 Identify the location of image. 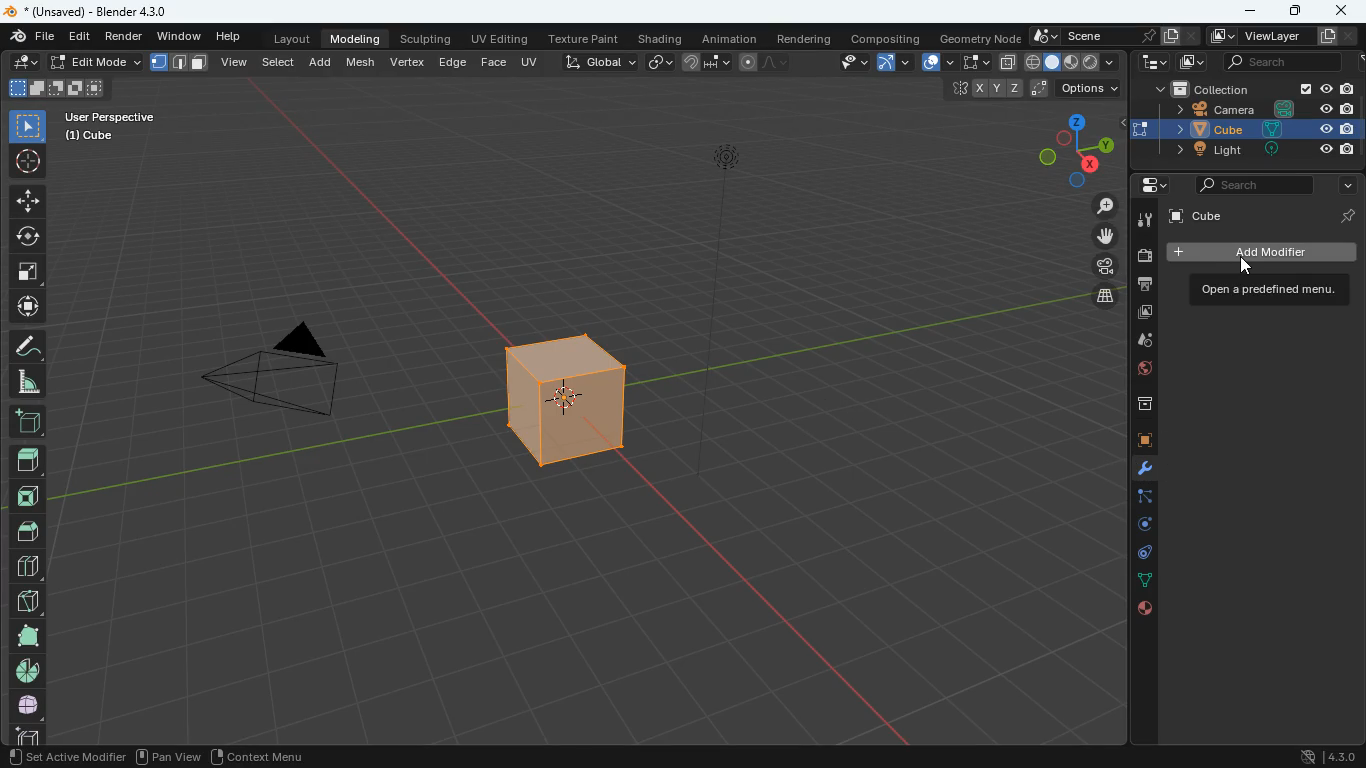
(1138, 315).